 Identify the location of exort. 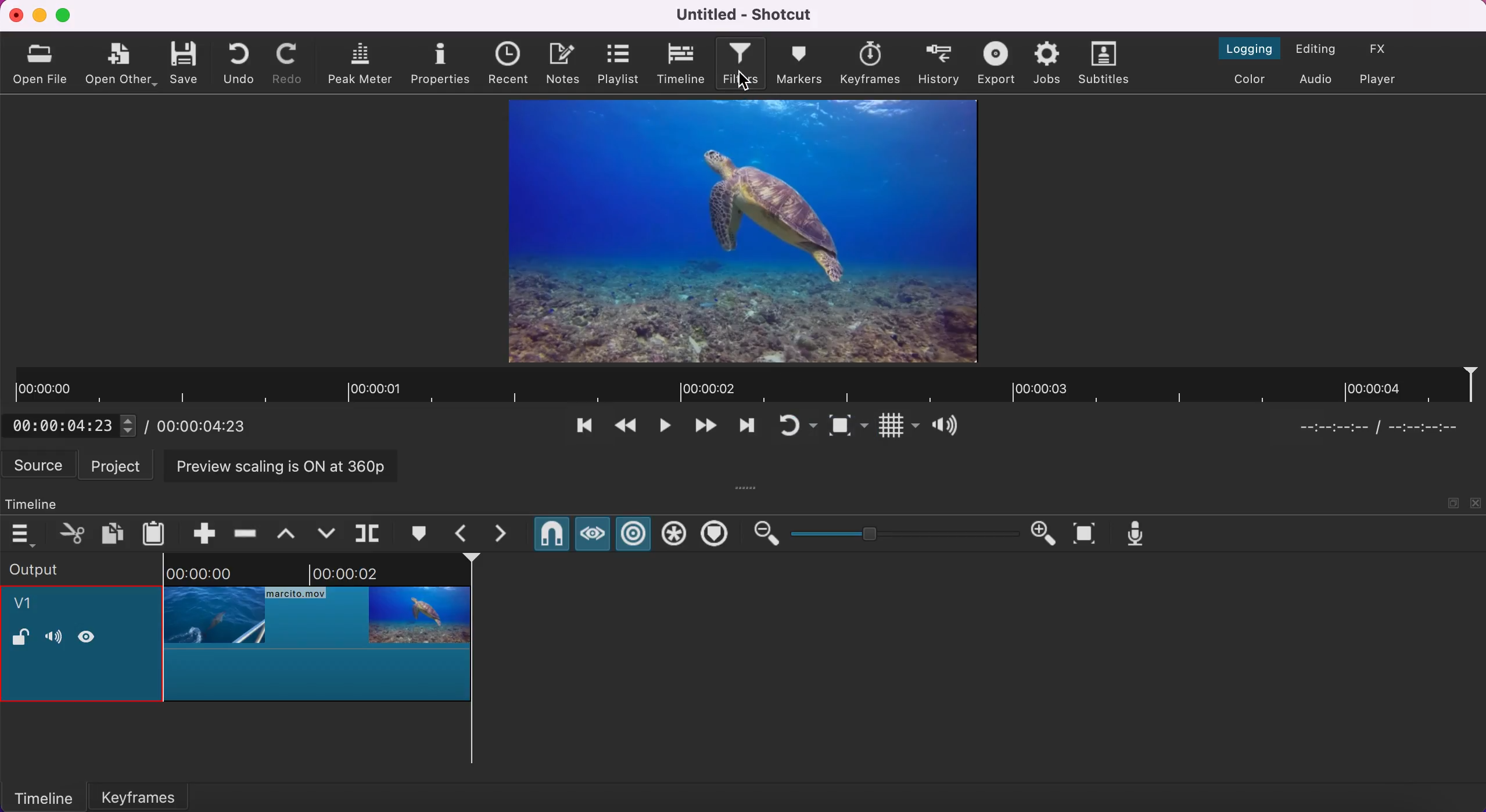
(999, 64).